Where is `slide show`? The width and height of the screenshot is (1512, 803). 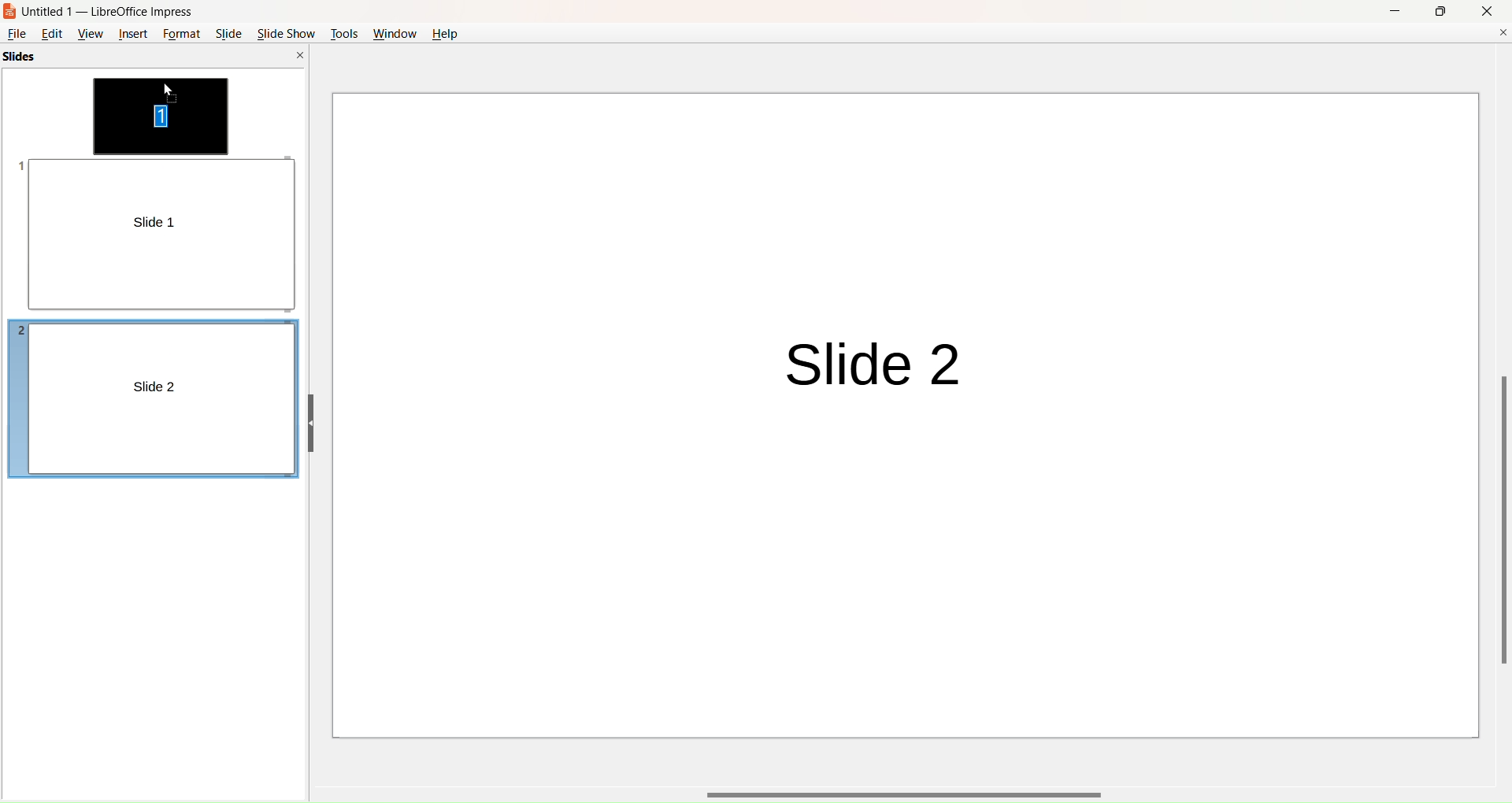
slide show is located at coordinates (287, 33).